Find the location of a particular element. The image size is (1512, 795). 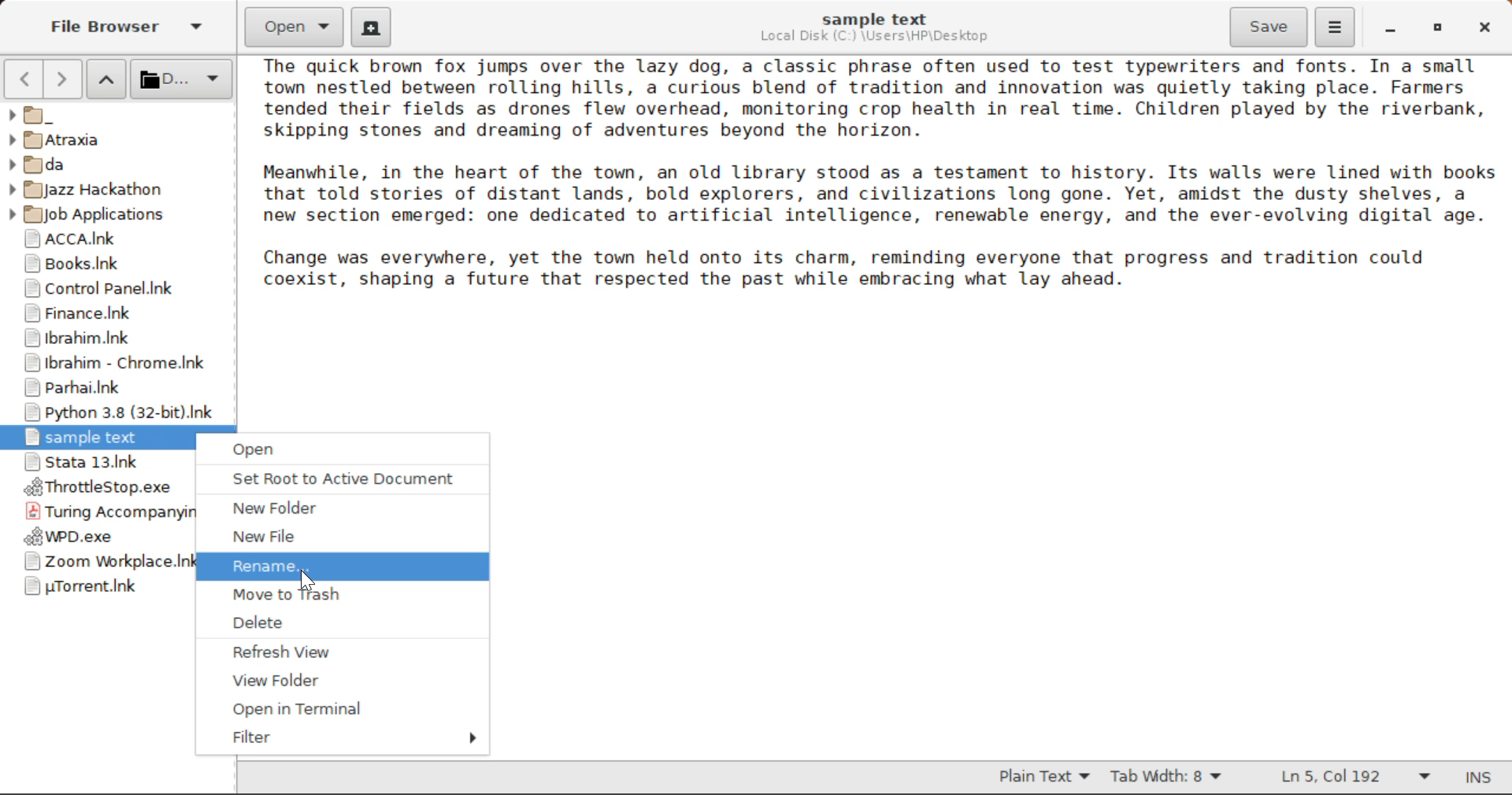

Line & Character Count is located at coordinates (1353, 778).